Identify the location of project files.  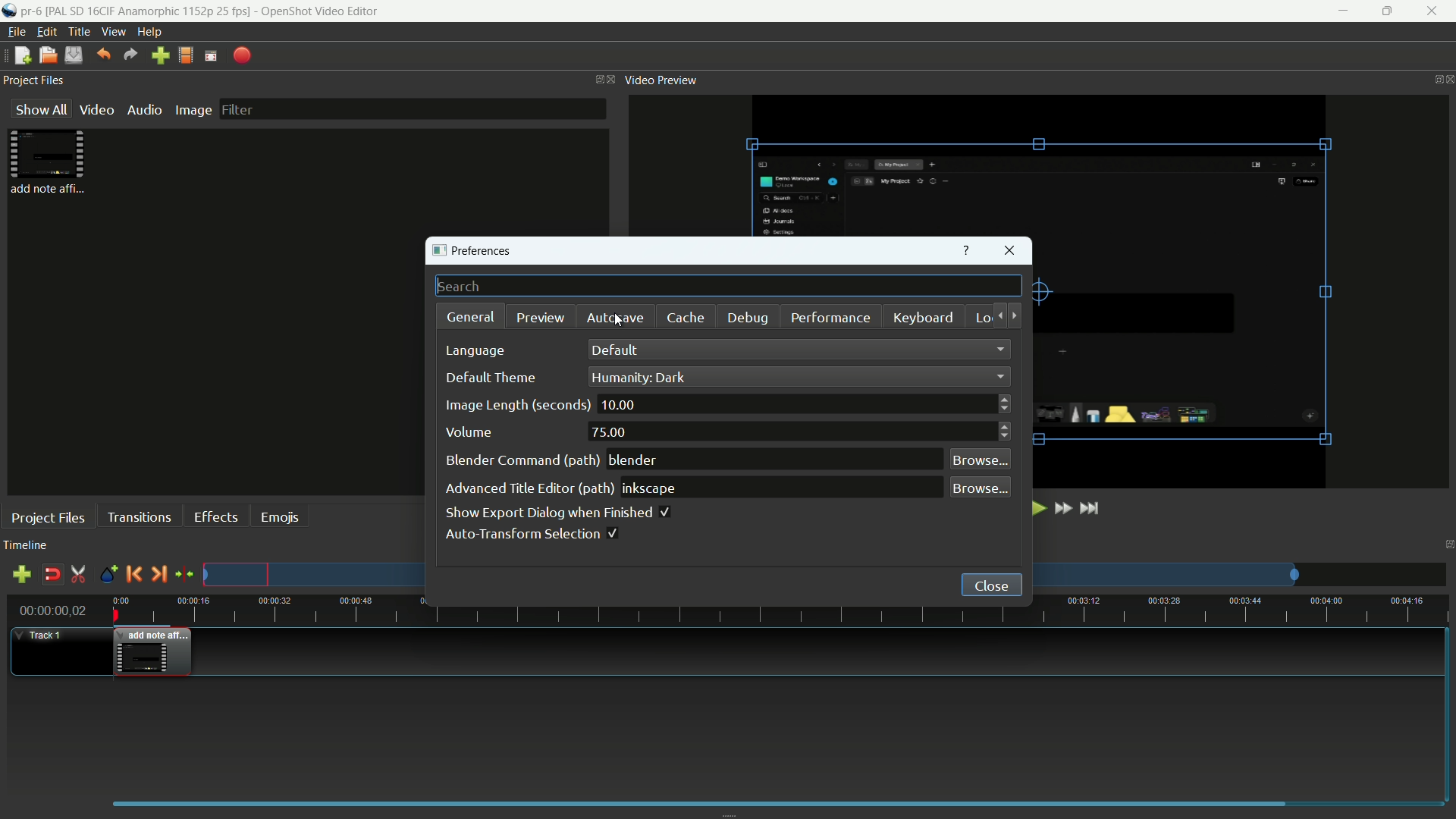
(49, 162).